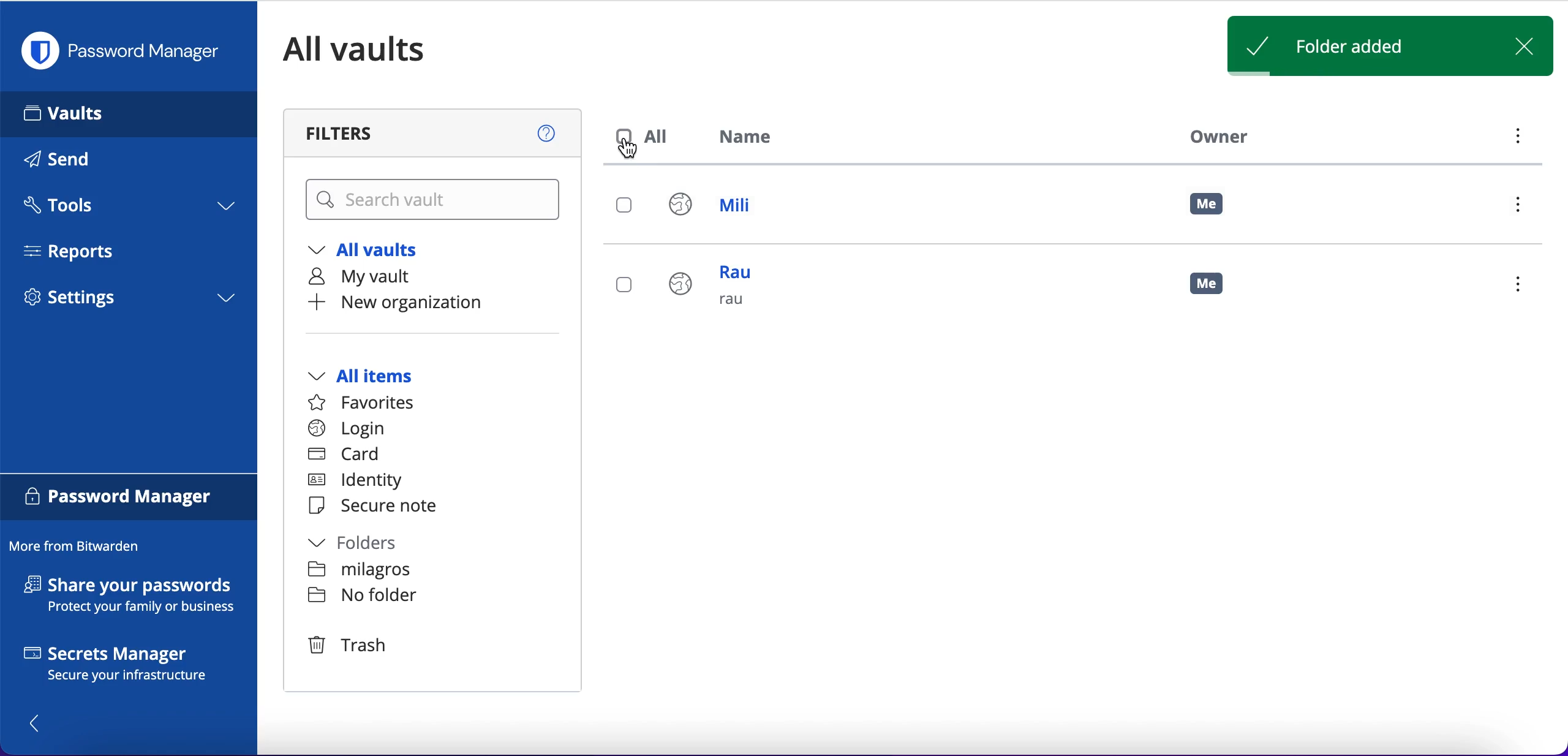  Describe the element at coordinates (362, 597) in the screenshot. I see `no folder` at that location.